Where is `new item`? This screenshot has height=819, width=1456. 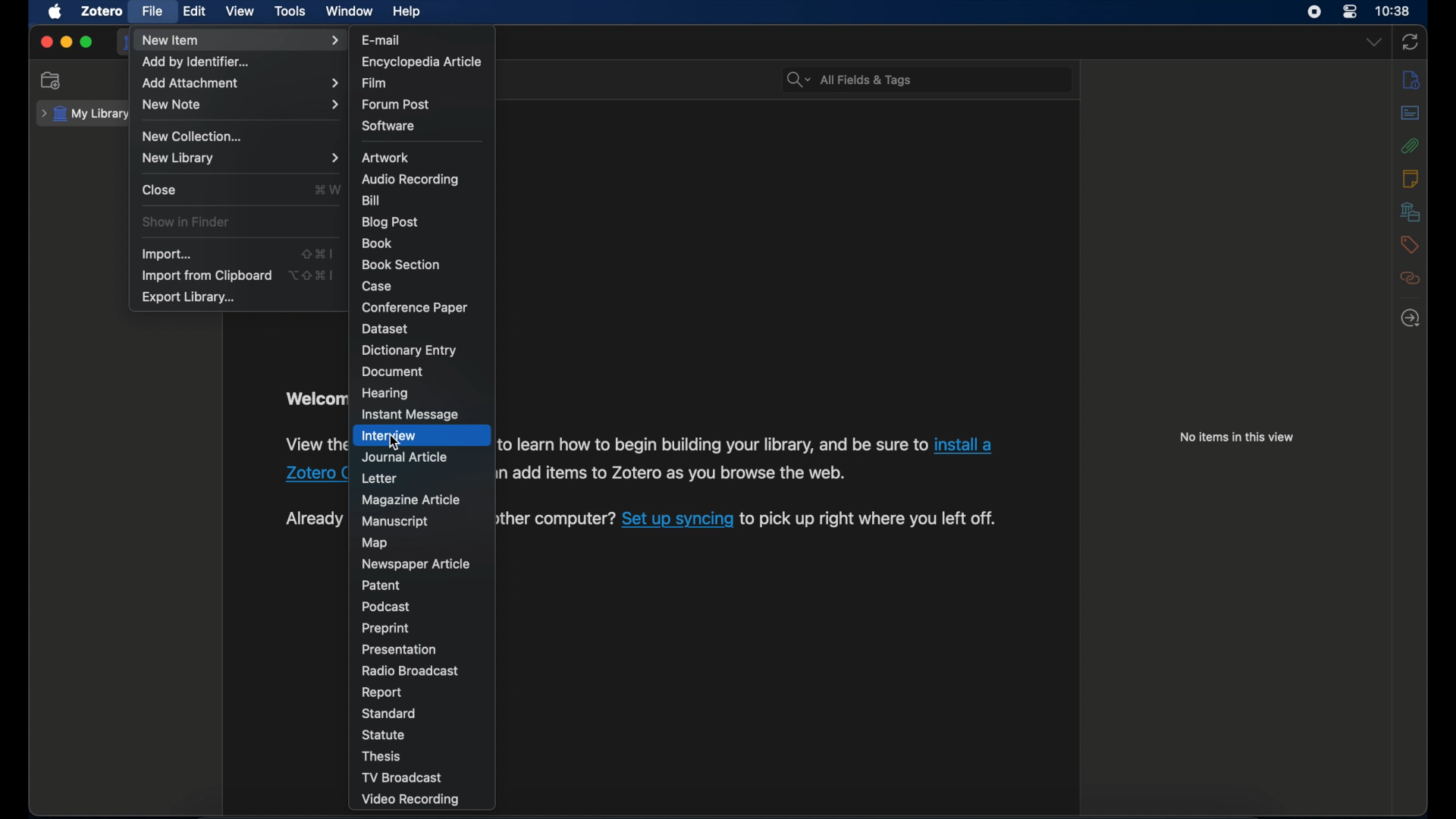 new item is located at coordinates (241, 40).